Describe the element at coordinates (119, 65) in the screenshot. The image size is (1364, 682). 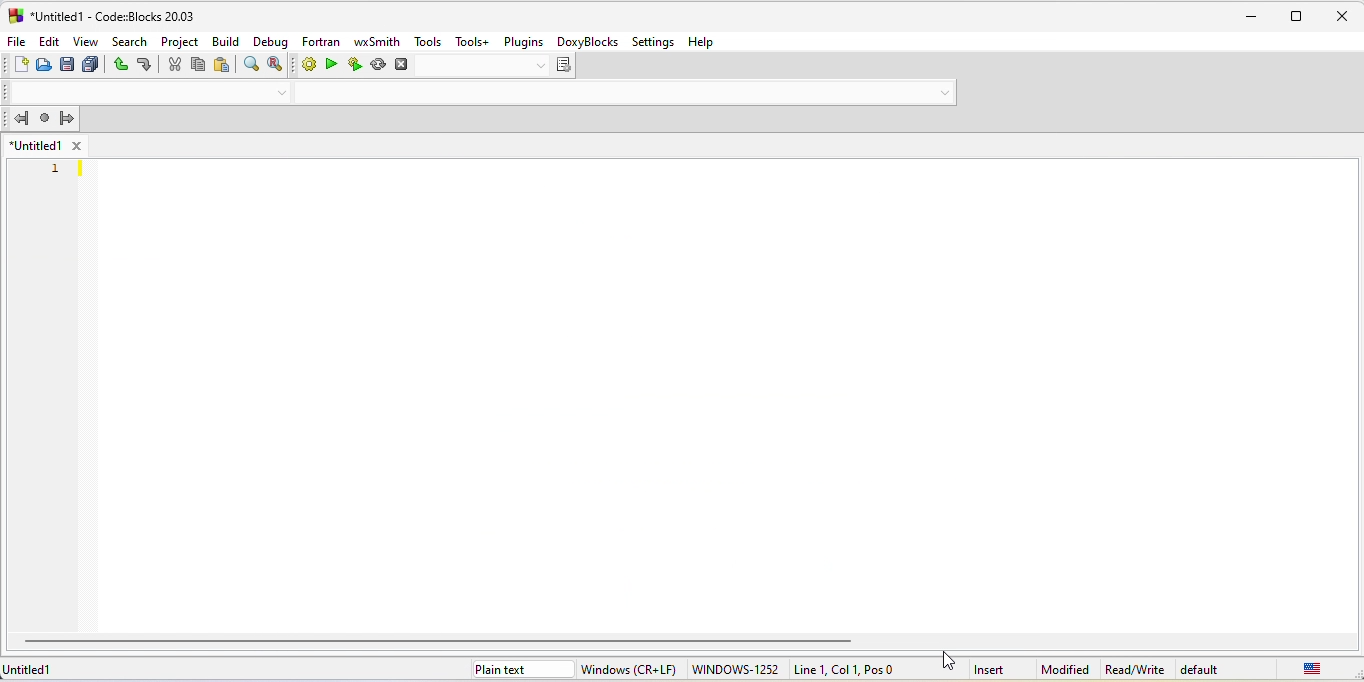
I see `undo` at that location.